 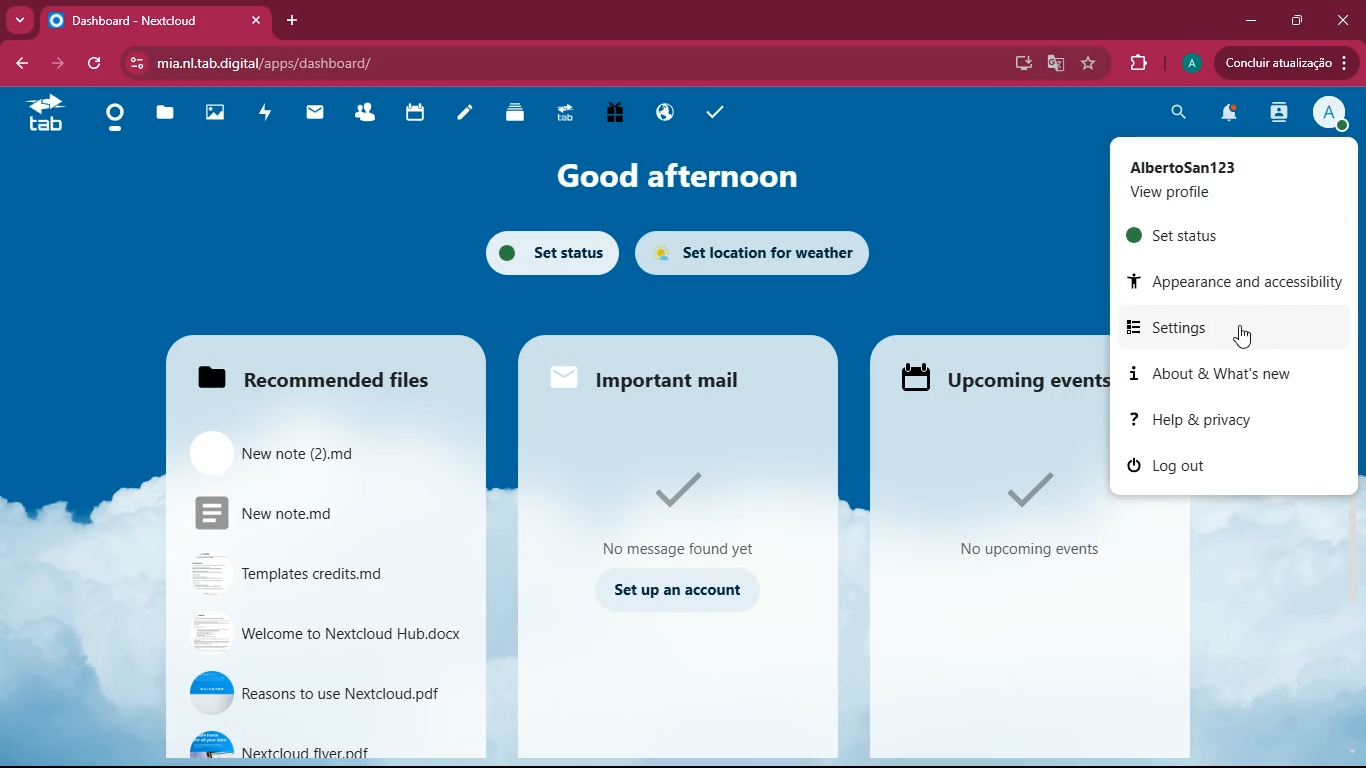 I want to click on add tab, so click(x=292, y=20).